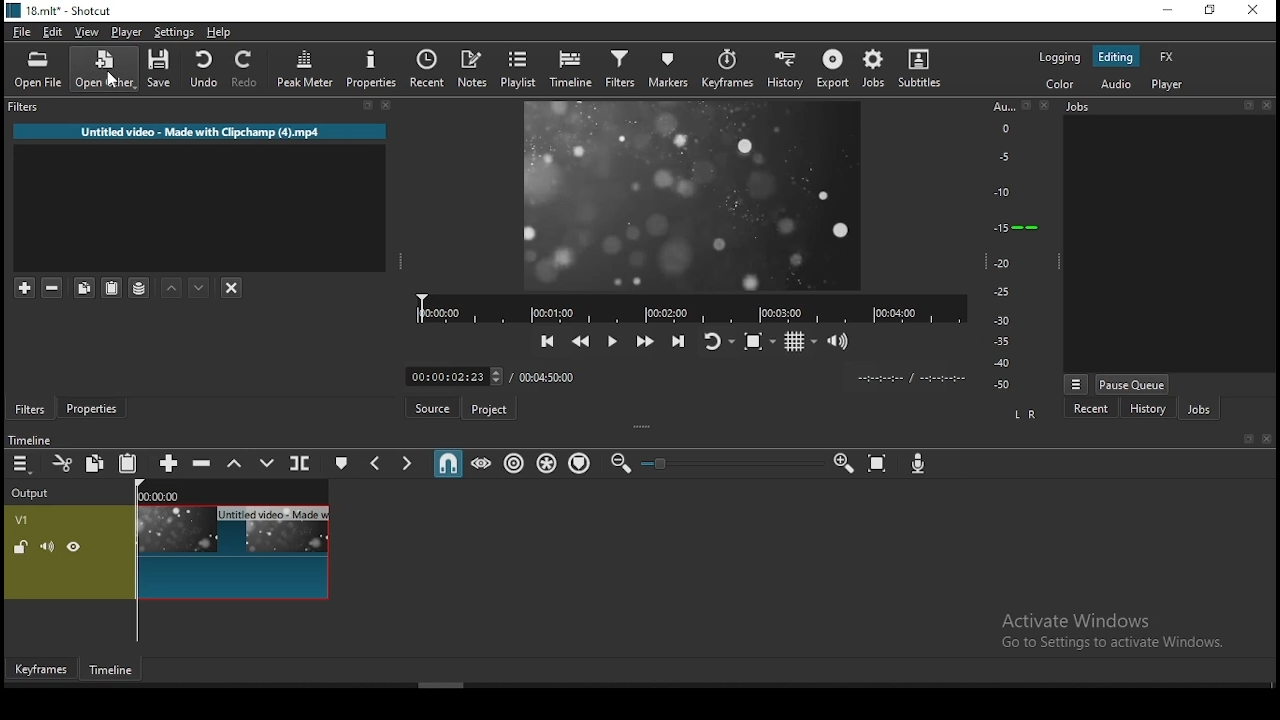  What do you see at coordinates (787, 68) in the screenshot?
I see `history` at bounding box center [787, 68].